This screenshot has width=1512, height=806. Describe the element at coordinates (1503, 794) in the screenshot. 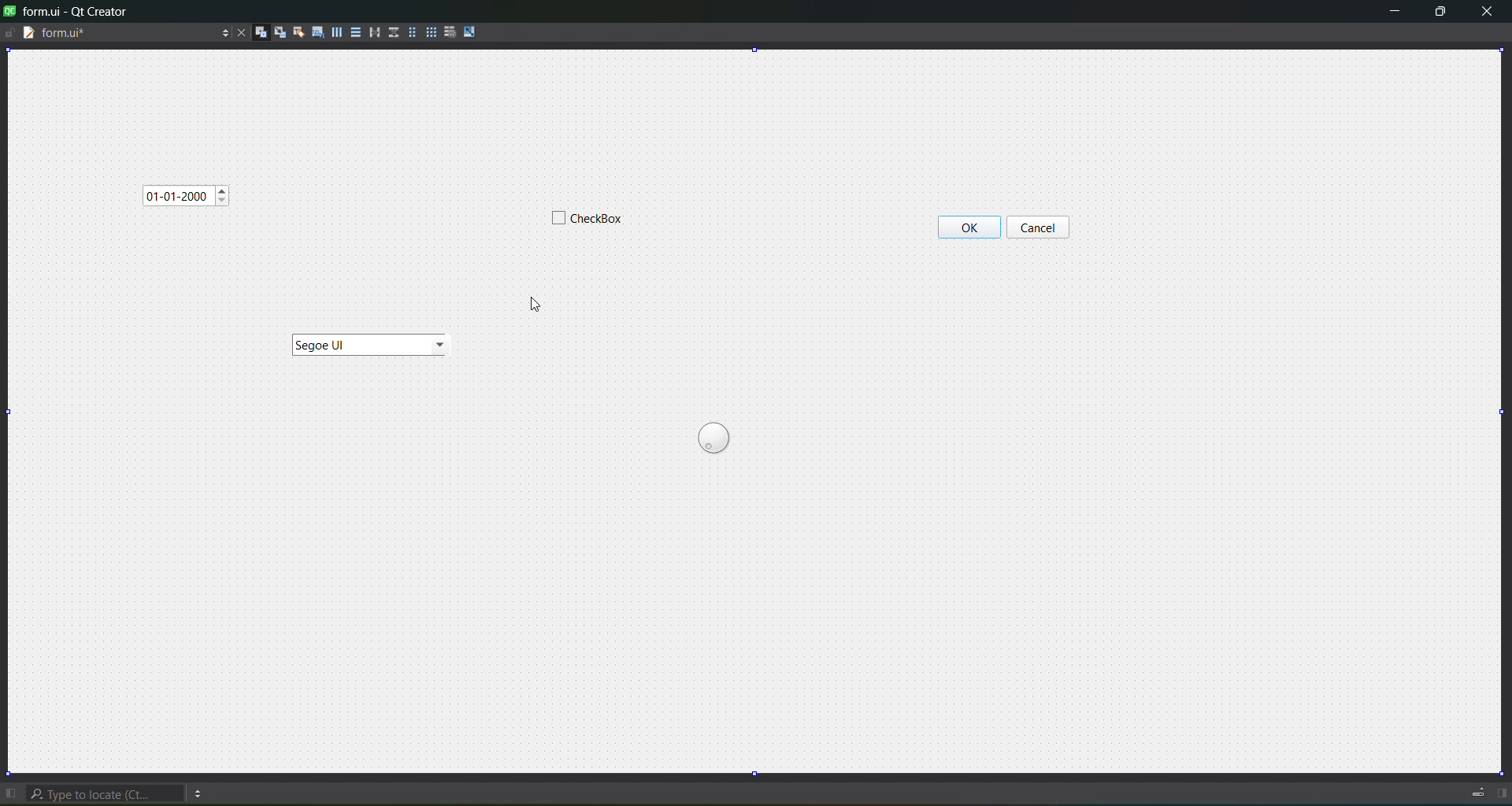

I see `show right sidebar` at that location.